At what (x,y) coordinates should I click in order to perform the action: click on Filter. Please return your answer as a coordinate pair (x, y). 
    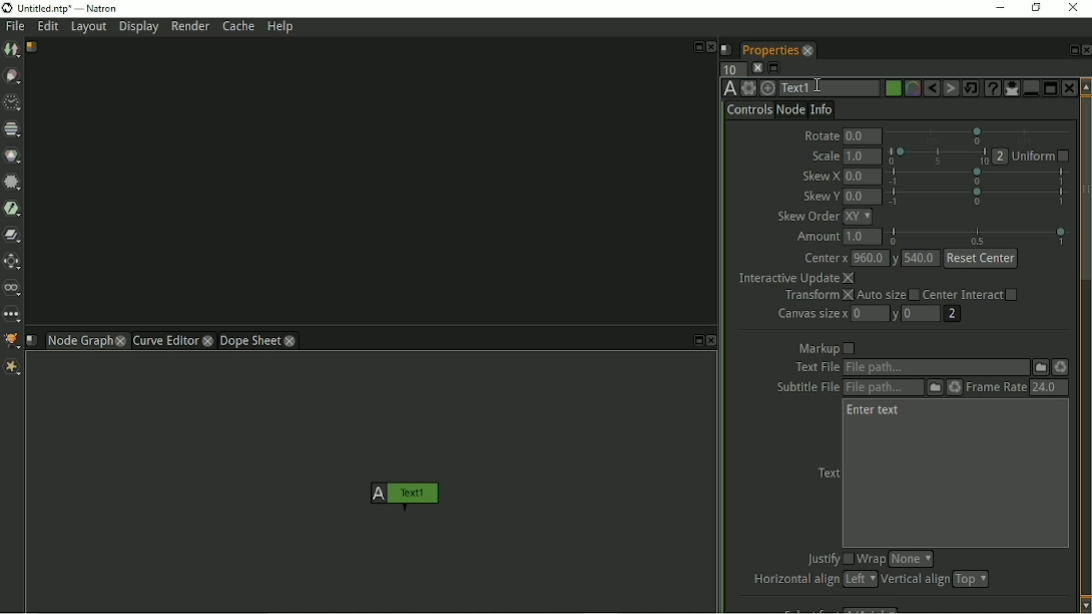
    Looking at the image, I should click on (13, 185).